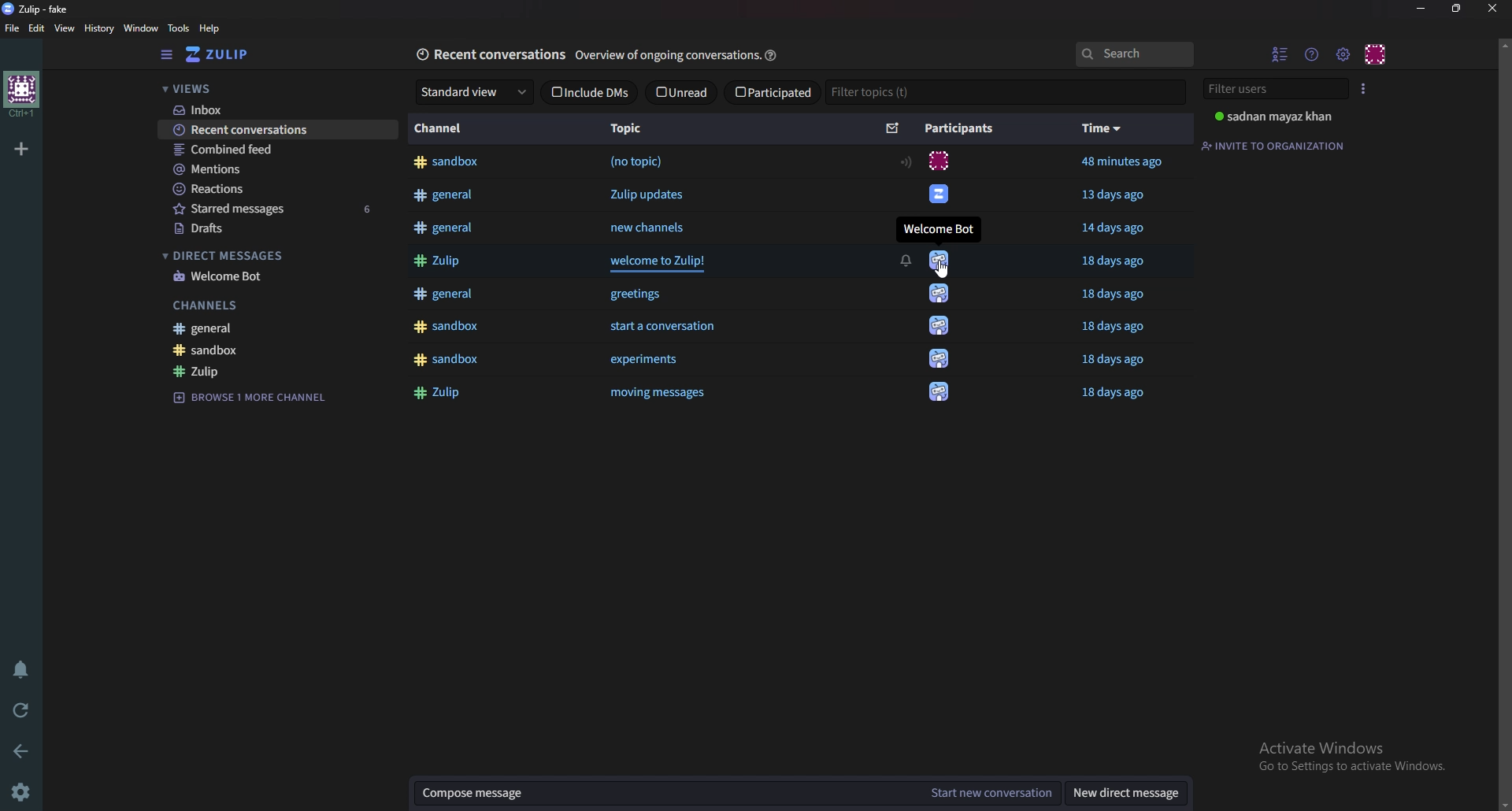  Describe the element at coordinates (1118, 294) in the screenshot. I see `18 days ago` at that location.